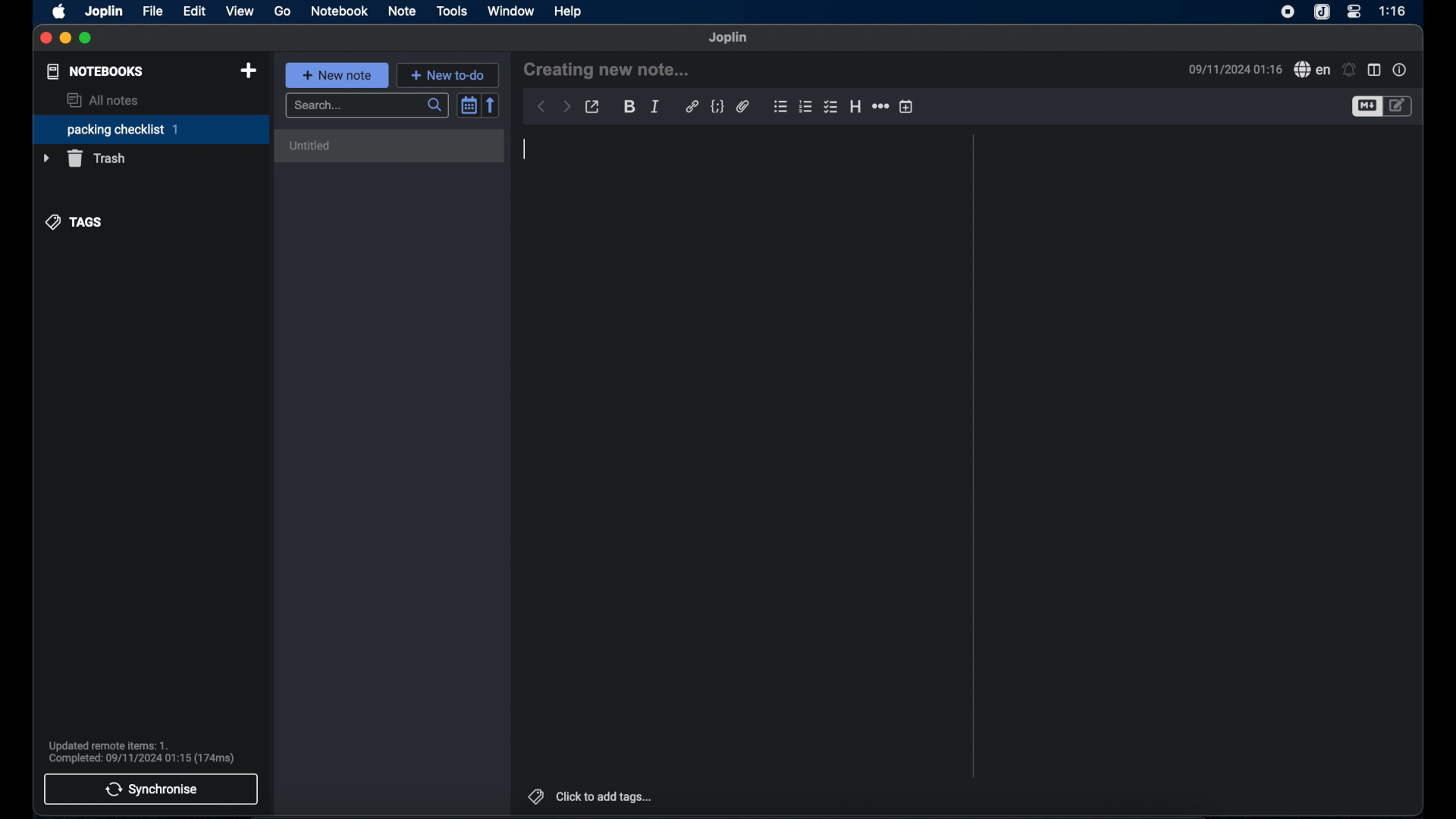 The width and height of the screenshot is (1456, 819). What do you see at coordinates (611, 71) in the screenshot?
I see `creating new note...` at bounding box center [611, 71].